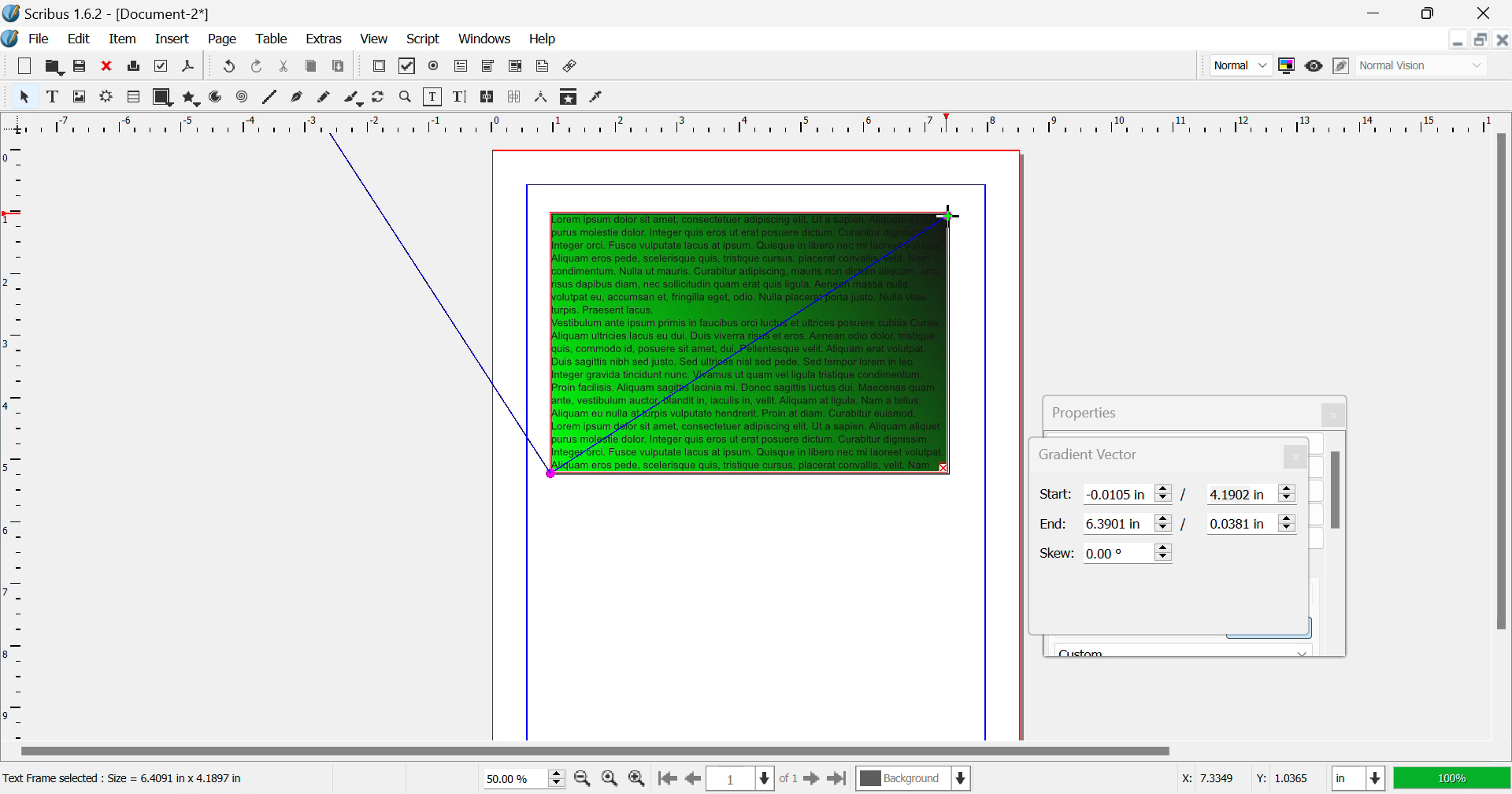  Describe the element at coordinates (515, 68) in the screenshot. I see `Pdf List Box` at that location.